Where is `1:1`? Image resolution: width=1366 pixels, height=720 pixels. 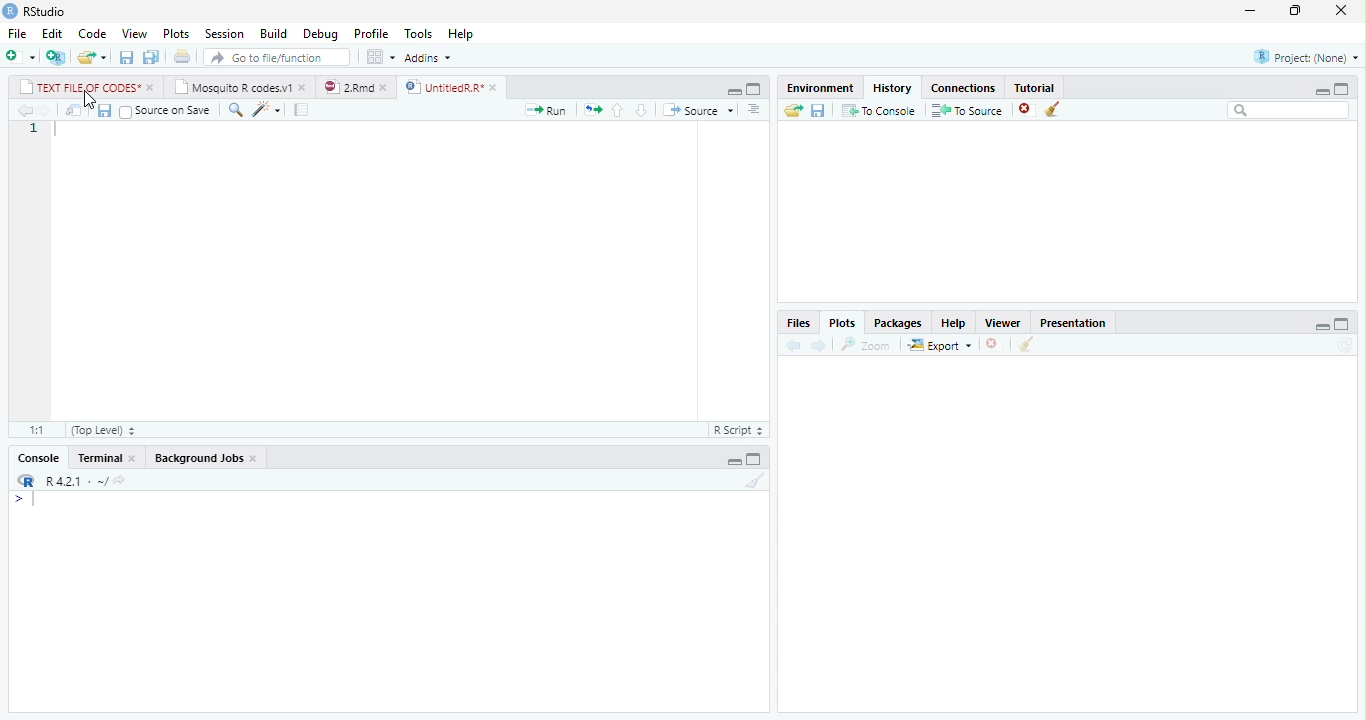 1:1 is located at coordinates (36, 430).